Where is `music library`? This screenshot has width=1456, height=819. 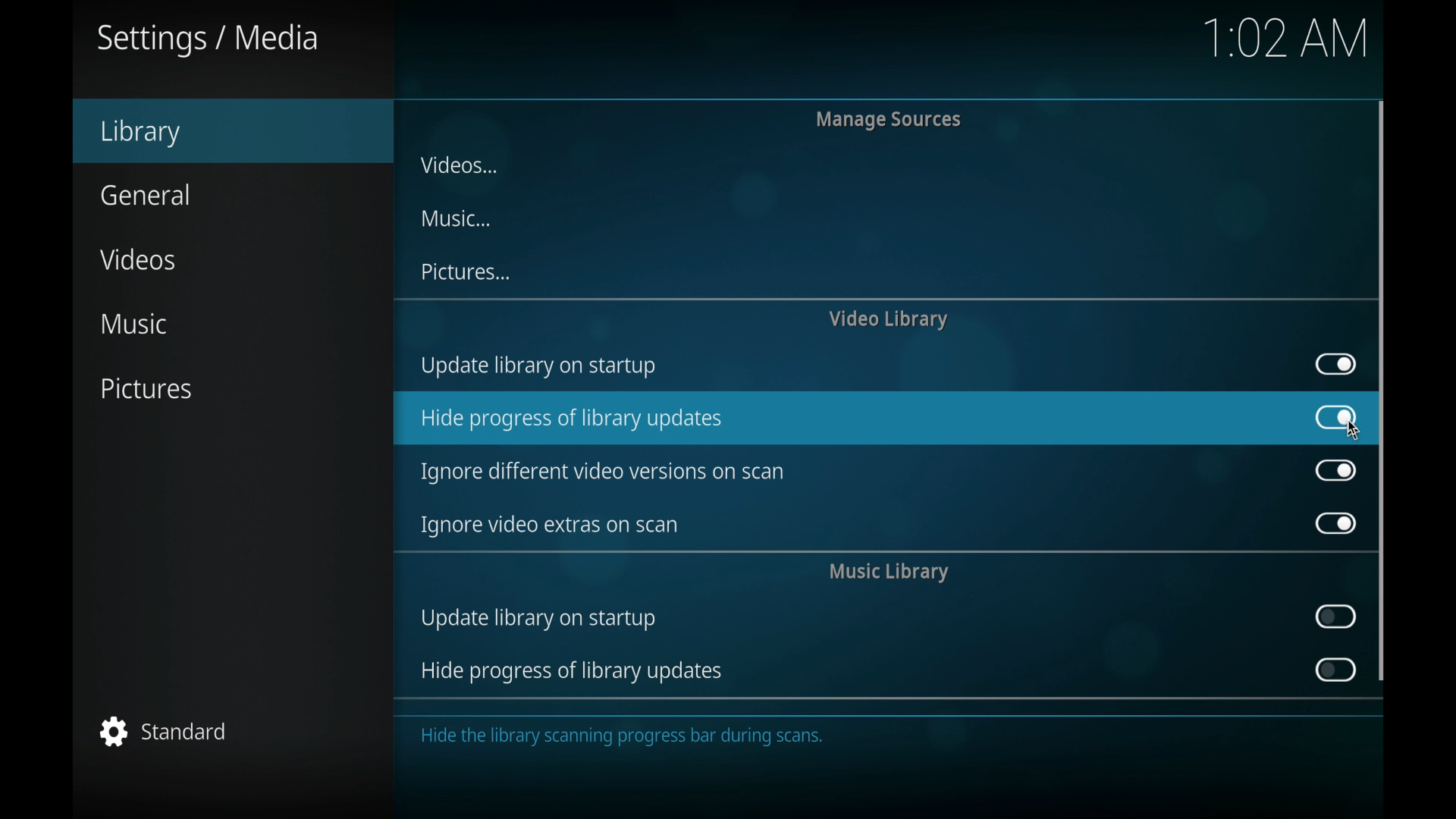
music library is located at coordinates (888, 572).